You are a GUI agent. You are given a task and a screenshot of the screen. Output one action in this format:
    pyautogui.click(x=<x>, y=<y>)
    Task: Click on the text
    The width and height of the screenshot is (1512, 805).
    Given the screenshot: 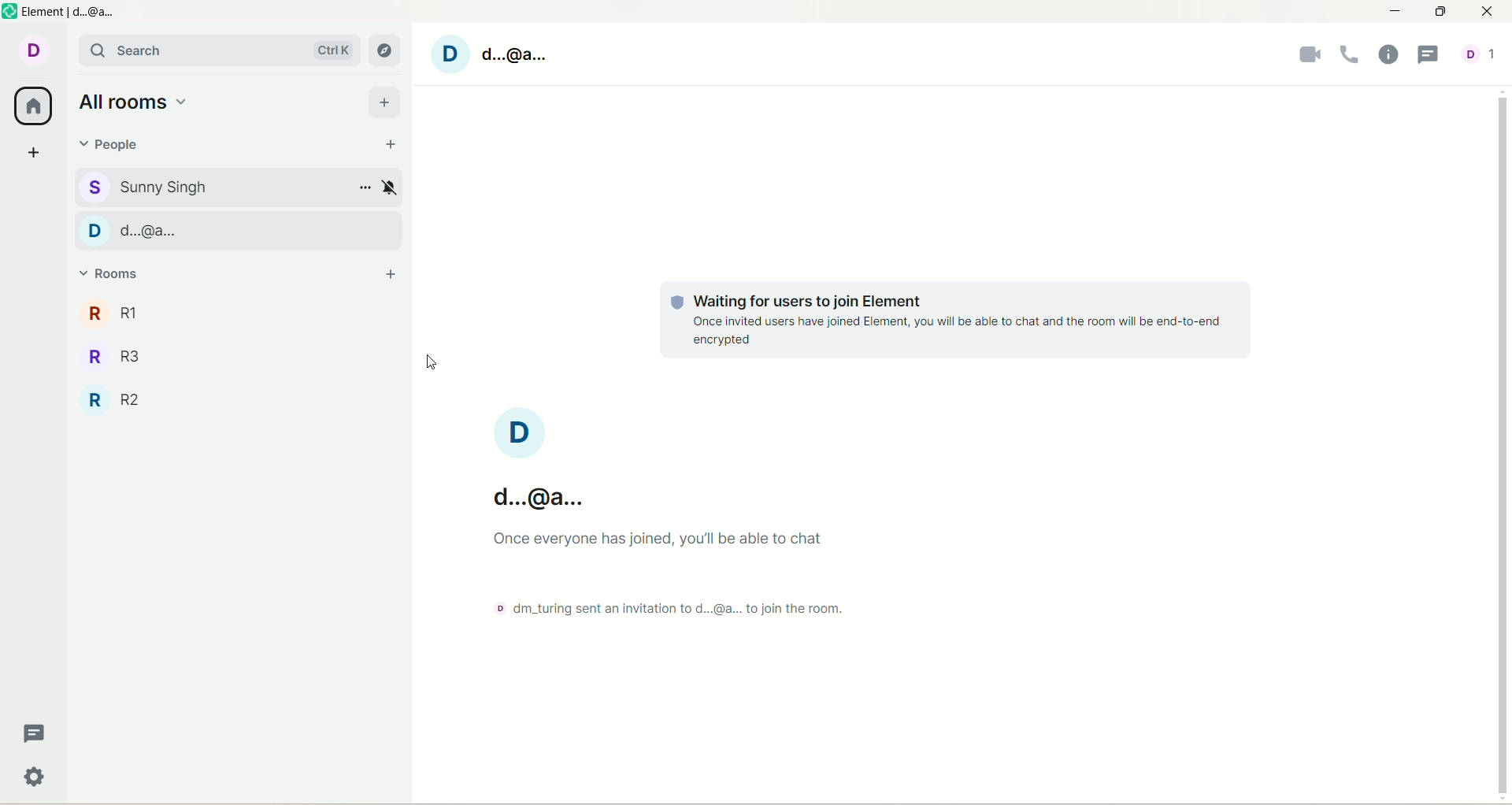 What is the action you would take?
    pyautogui.click(x=948, y=321)
    